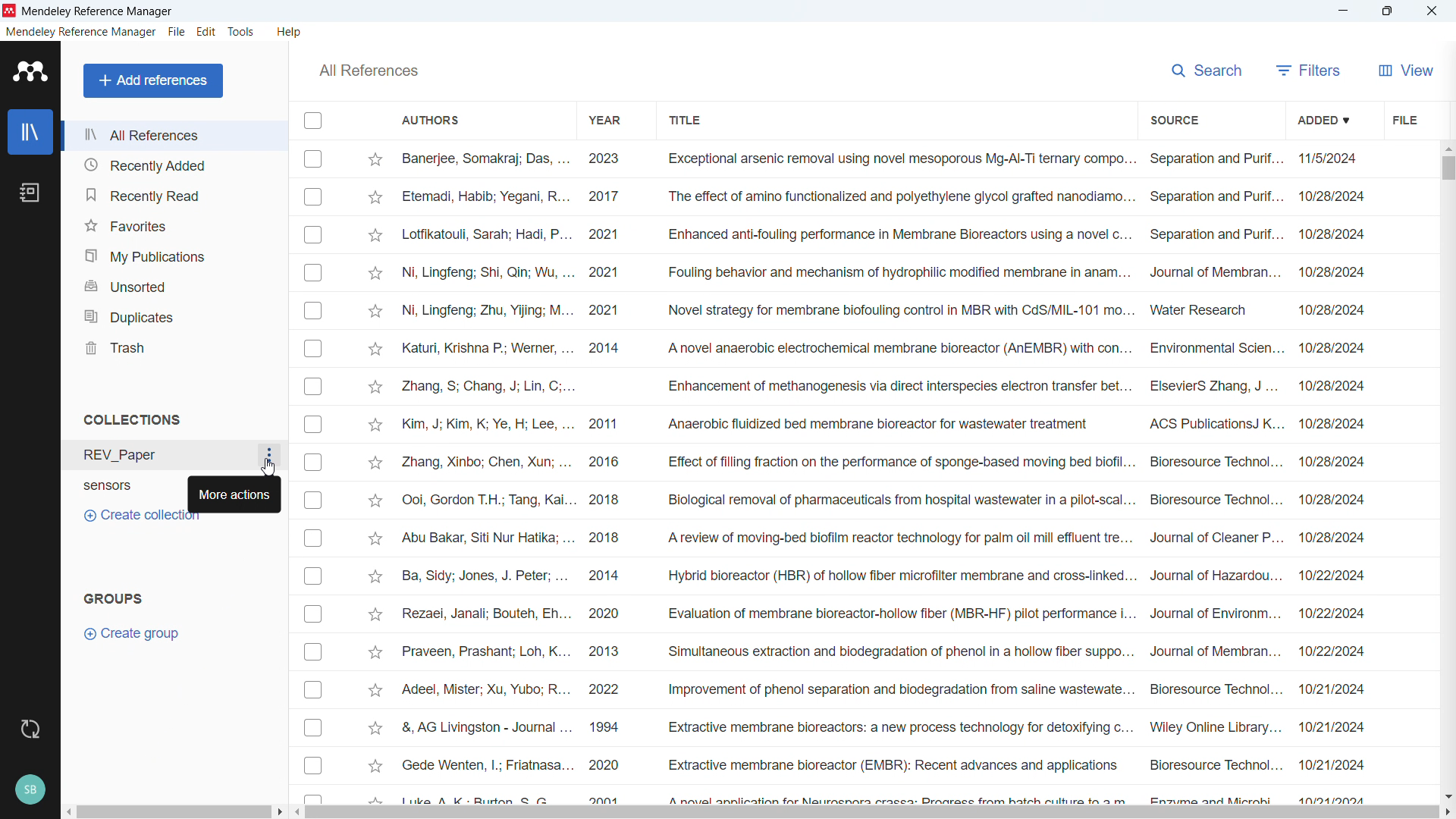 The image size is (1456, 819). What do you see at coordinates (1404, 118) in the screenshot?
I see `File ` at bounding box center [1404, 118].